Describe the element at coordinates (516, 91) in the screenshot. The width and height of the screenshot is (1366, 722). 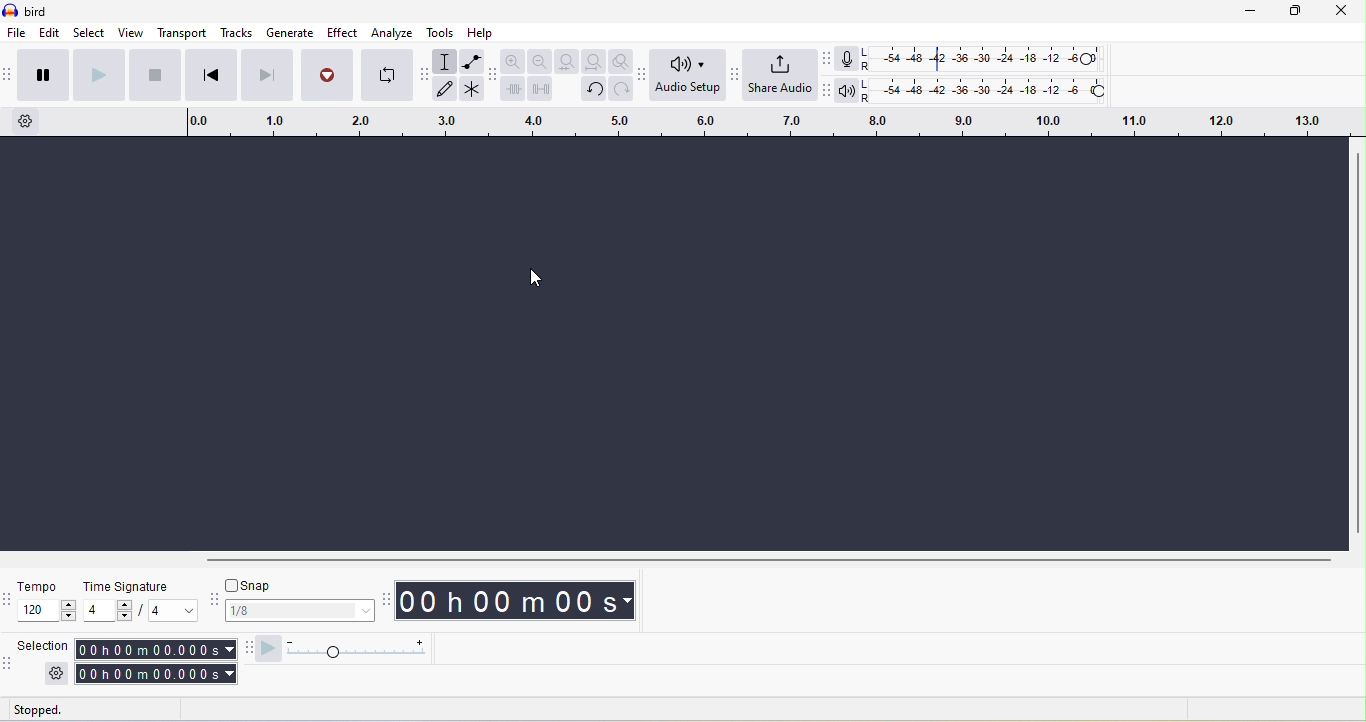
I see `trim audio outside selection` at that location.